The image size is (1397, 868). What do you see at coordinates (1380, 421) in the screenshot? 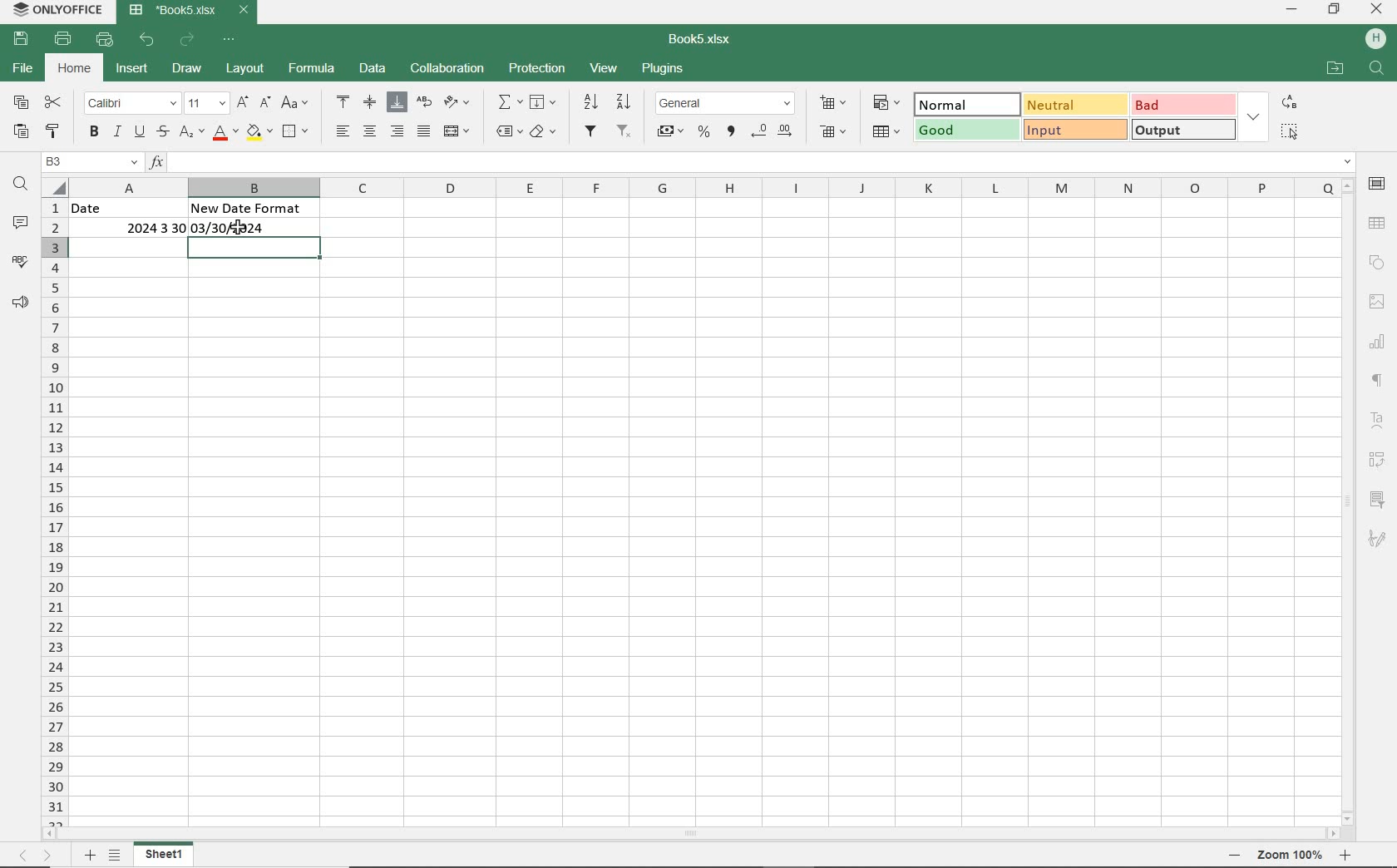
I see `TEXT ART` at bounding box center [1380, 421].